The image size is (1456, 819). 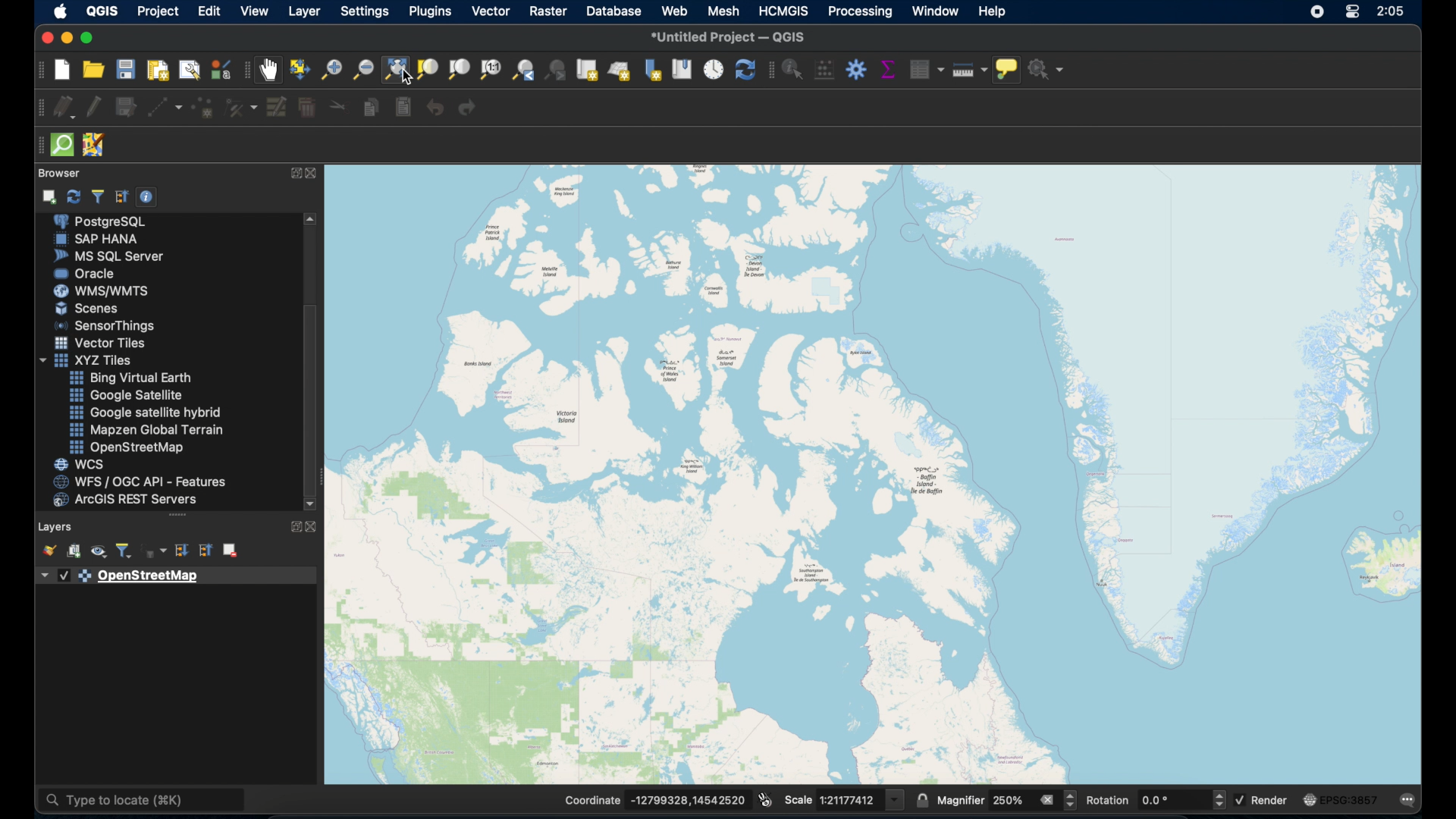 What do you see at coordinates (312, 174) in the screenshot?
I see `close` at bounding box center [312, 174].